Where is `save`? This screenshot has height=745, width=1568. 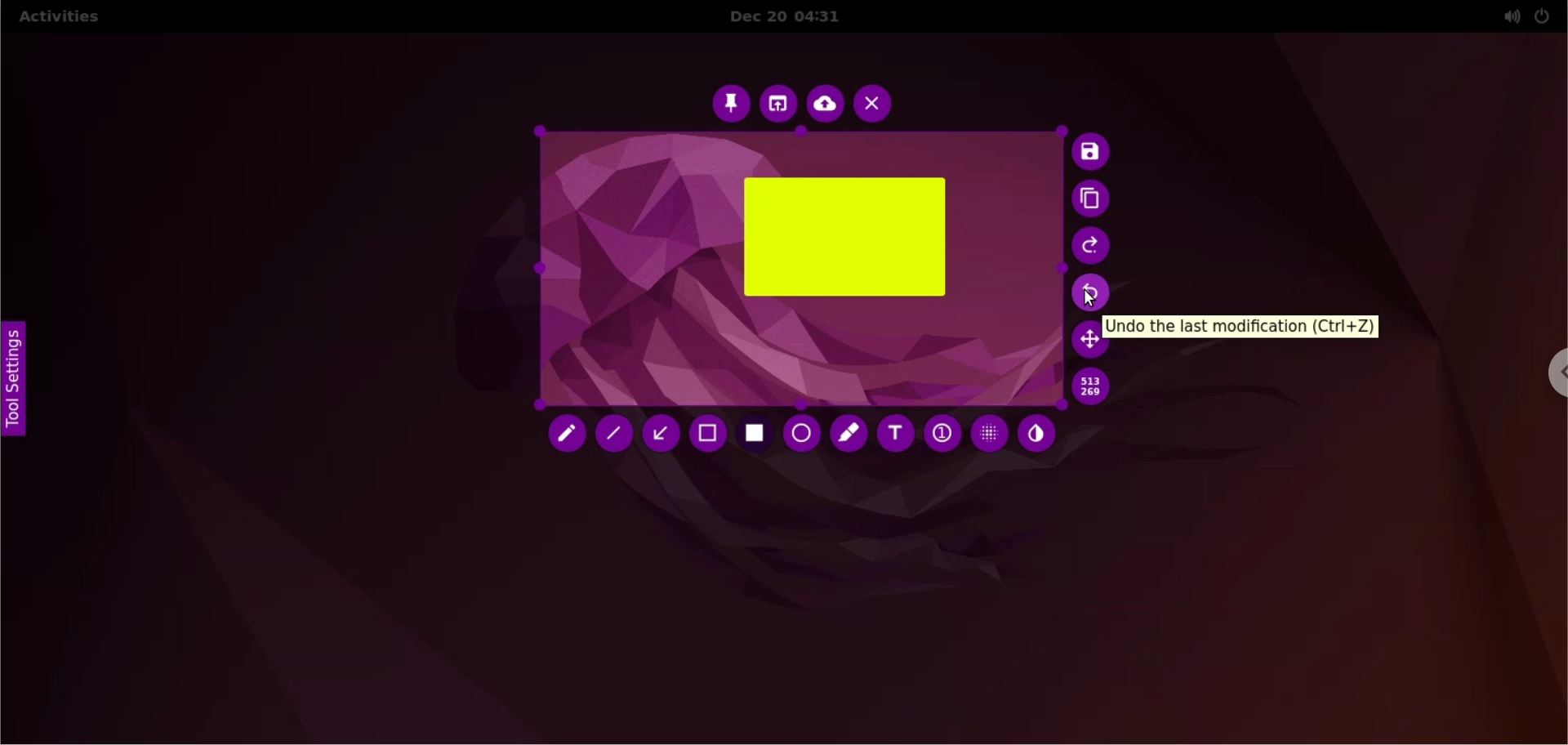 save is located at coordinates (1092, 152).